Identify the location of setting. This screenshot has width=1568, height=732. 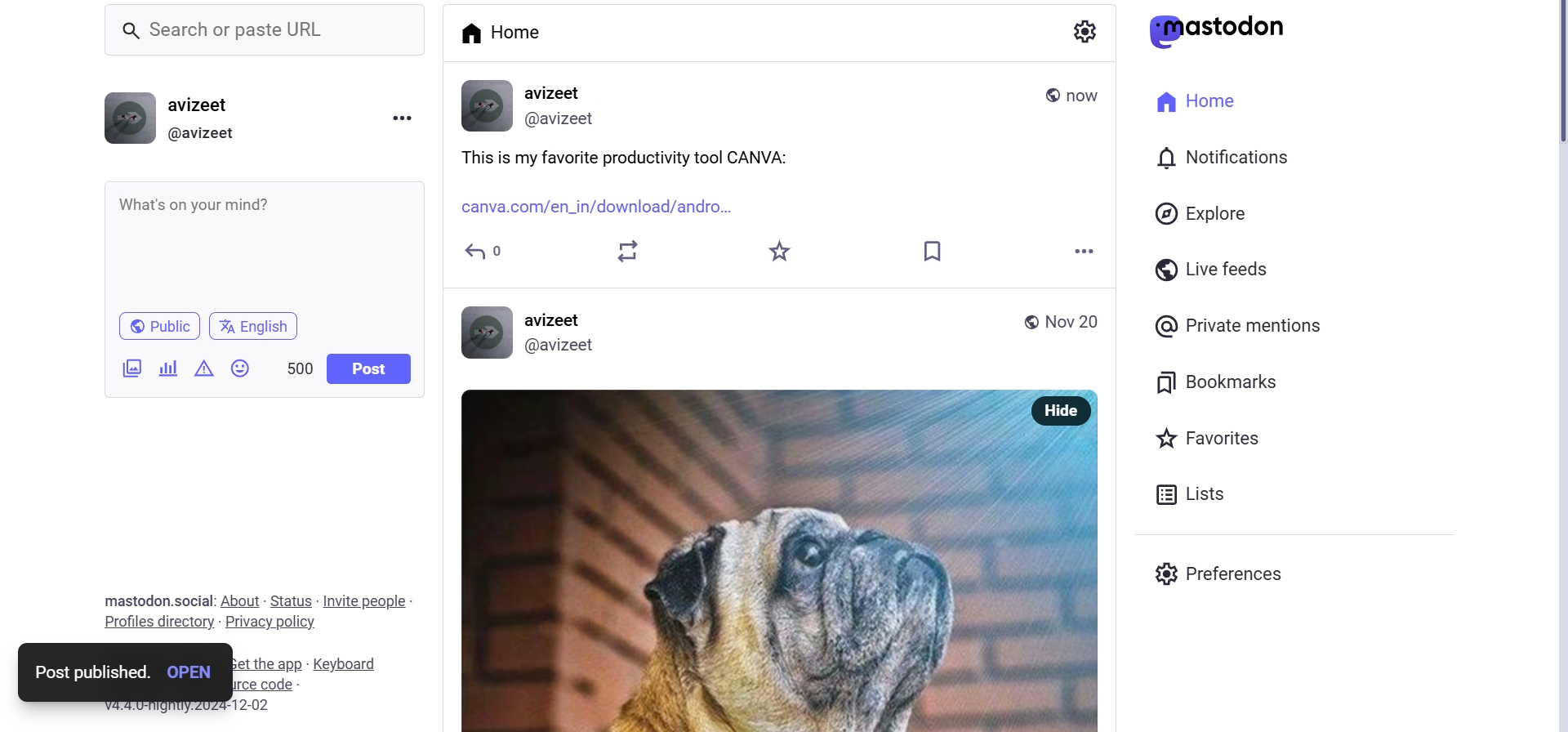
(1085, 30).